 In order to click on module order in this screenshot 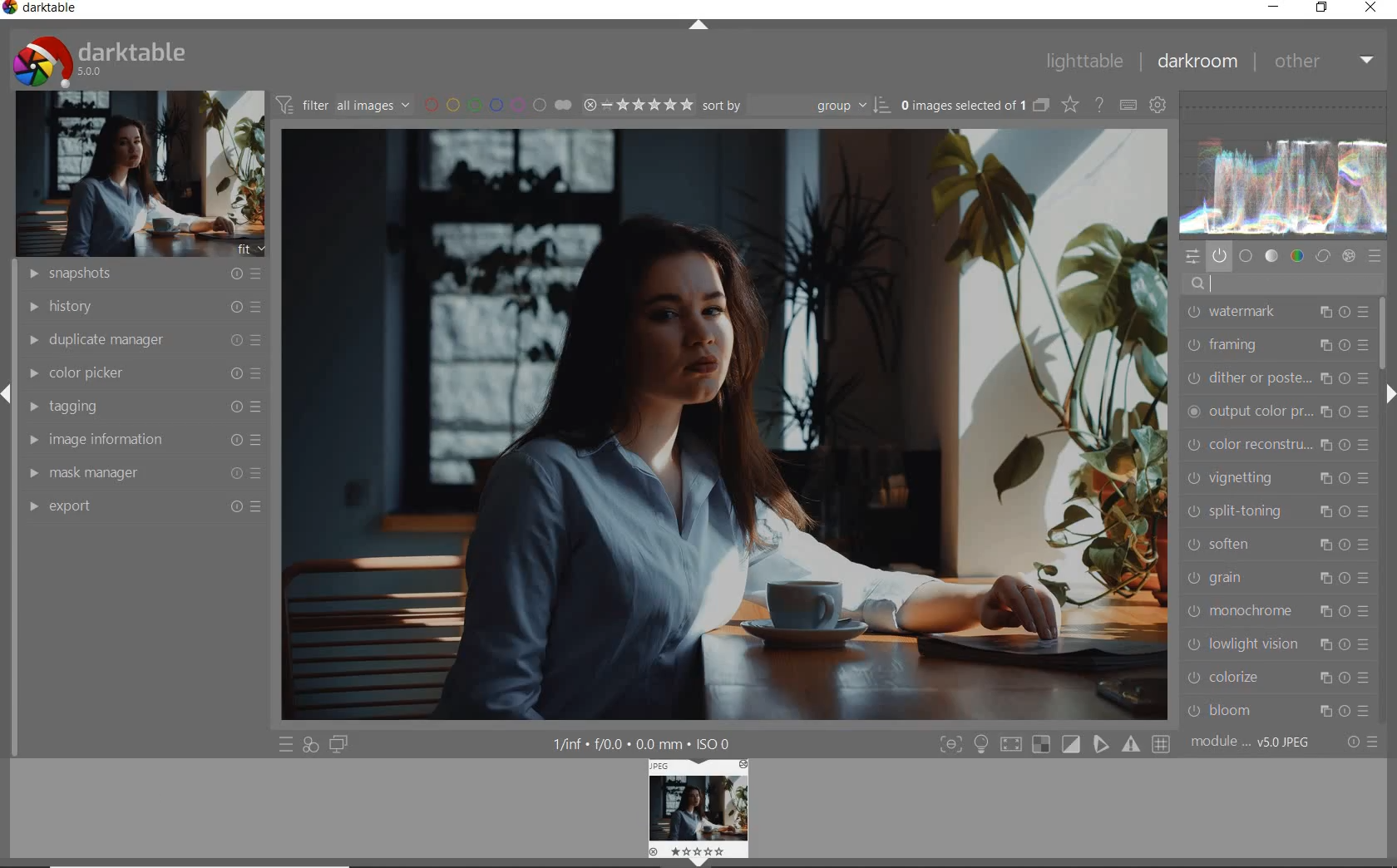, I will do `click(1256, 744)`.